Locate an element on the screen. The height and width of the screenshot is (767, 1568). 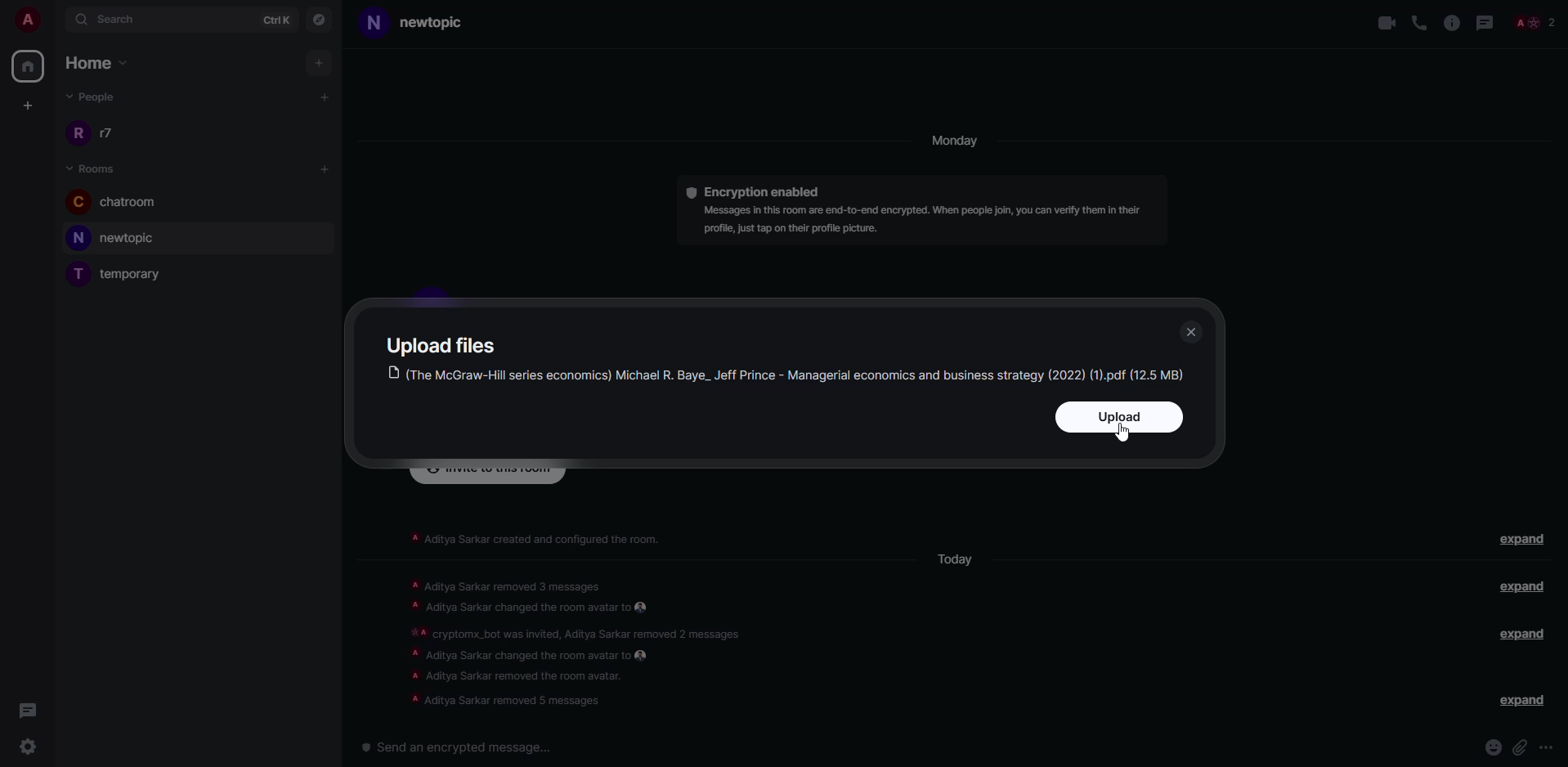
cursor is located at coordinates (1127, 437).